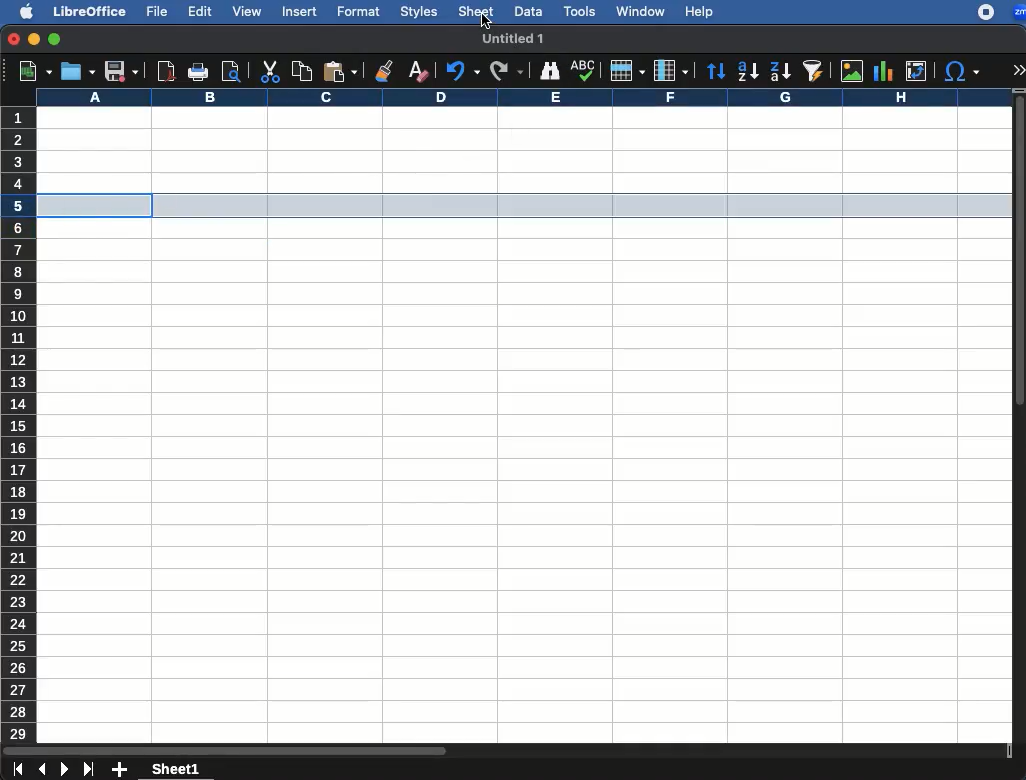 Image resolution: width=1026 pixels, height=780 pixels. What do you see at coordinates (626, 72) in the screenshot?
I see `row` at bounding box center [626, 72].